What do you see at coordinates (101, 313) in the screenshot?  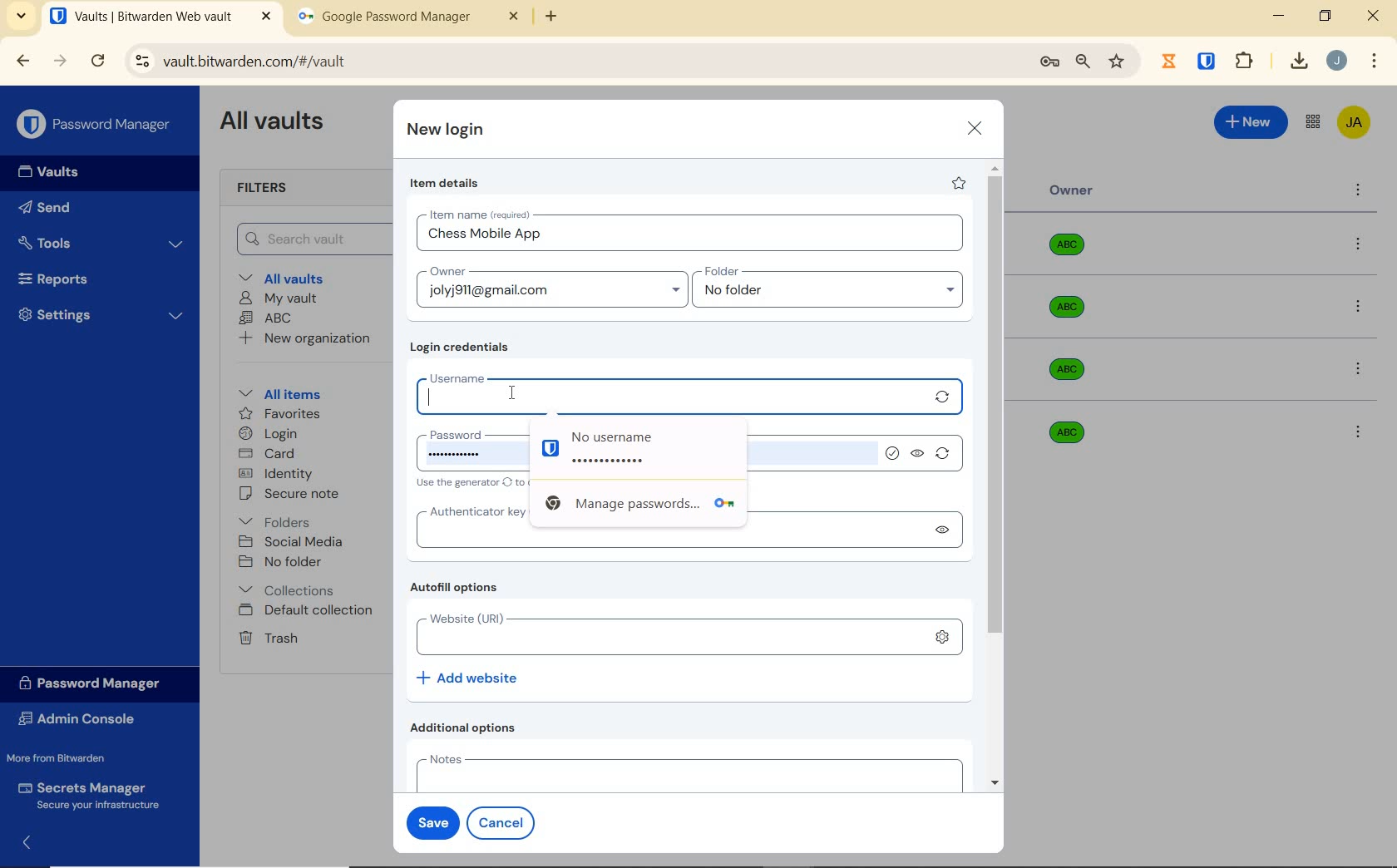 I see `Settings` at bounding box center [101, 313].